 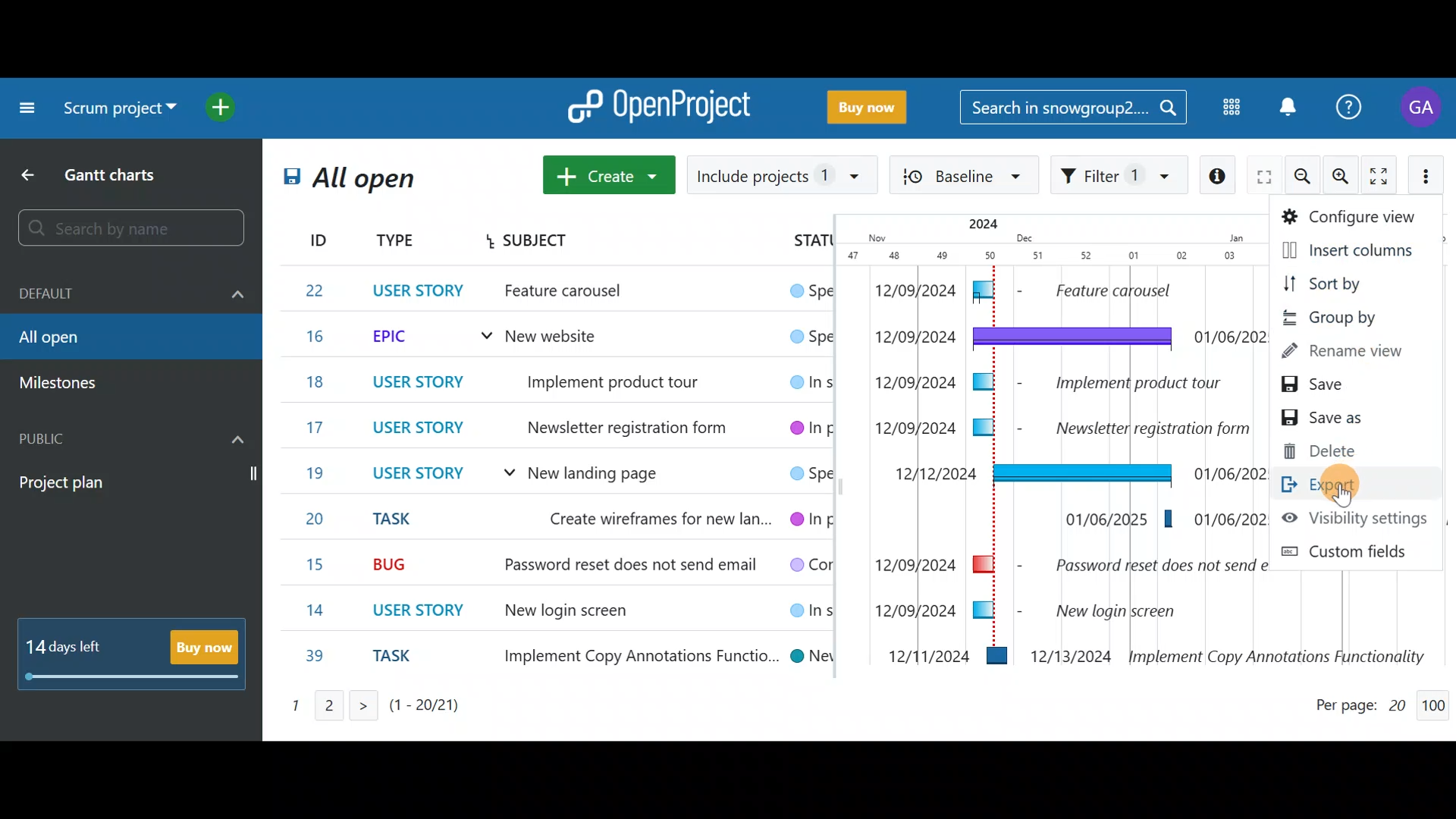 I want to click on Notification Centre, so click(x=1289, y=107).